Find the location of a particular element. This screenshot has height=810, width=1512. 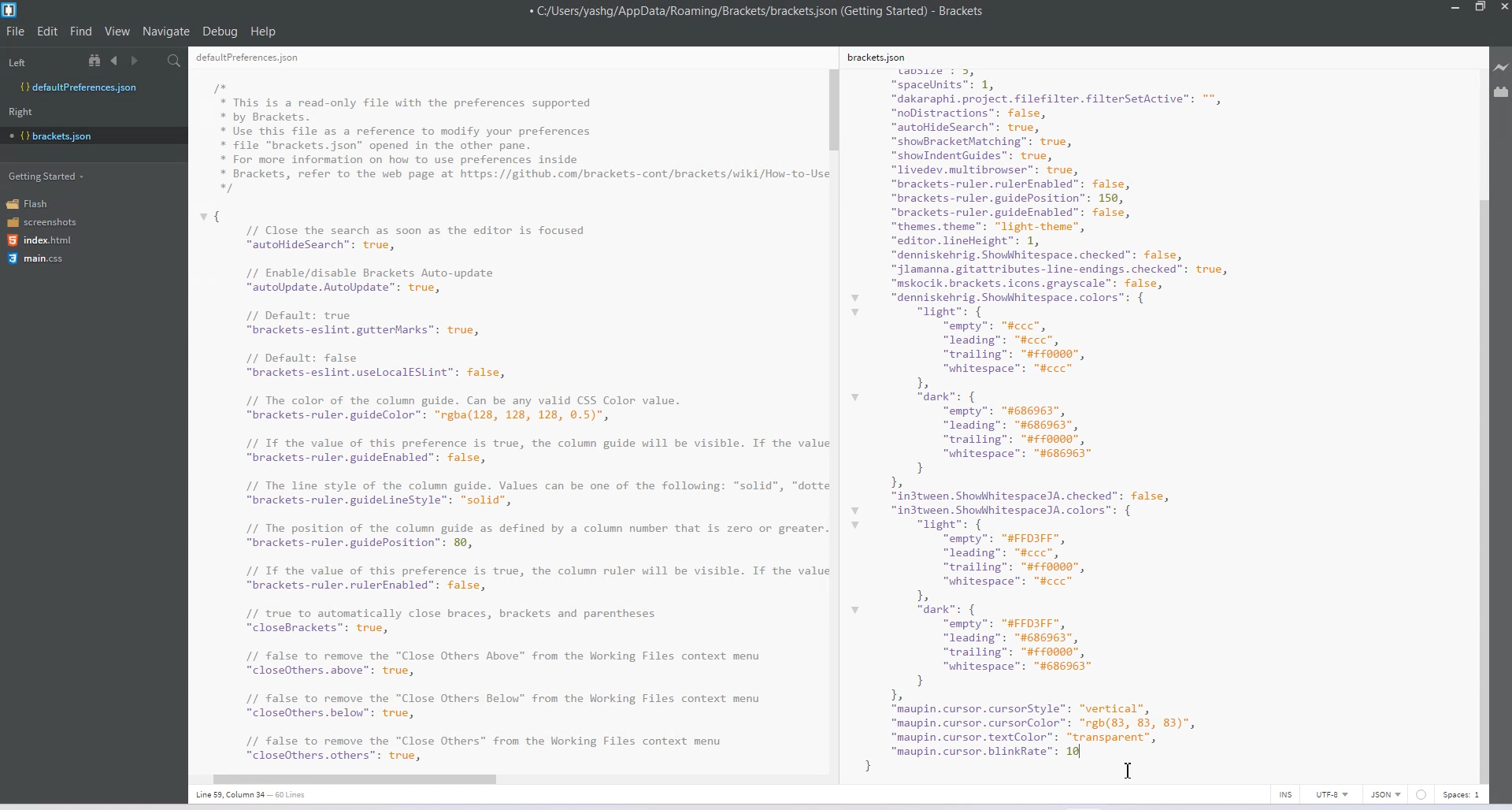

UTF-8 is located at coordinates (1332, 794).